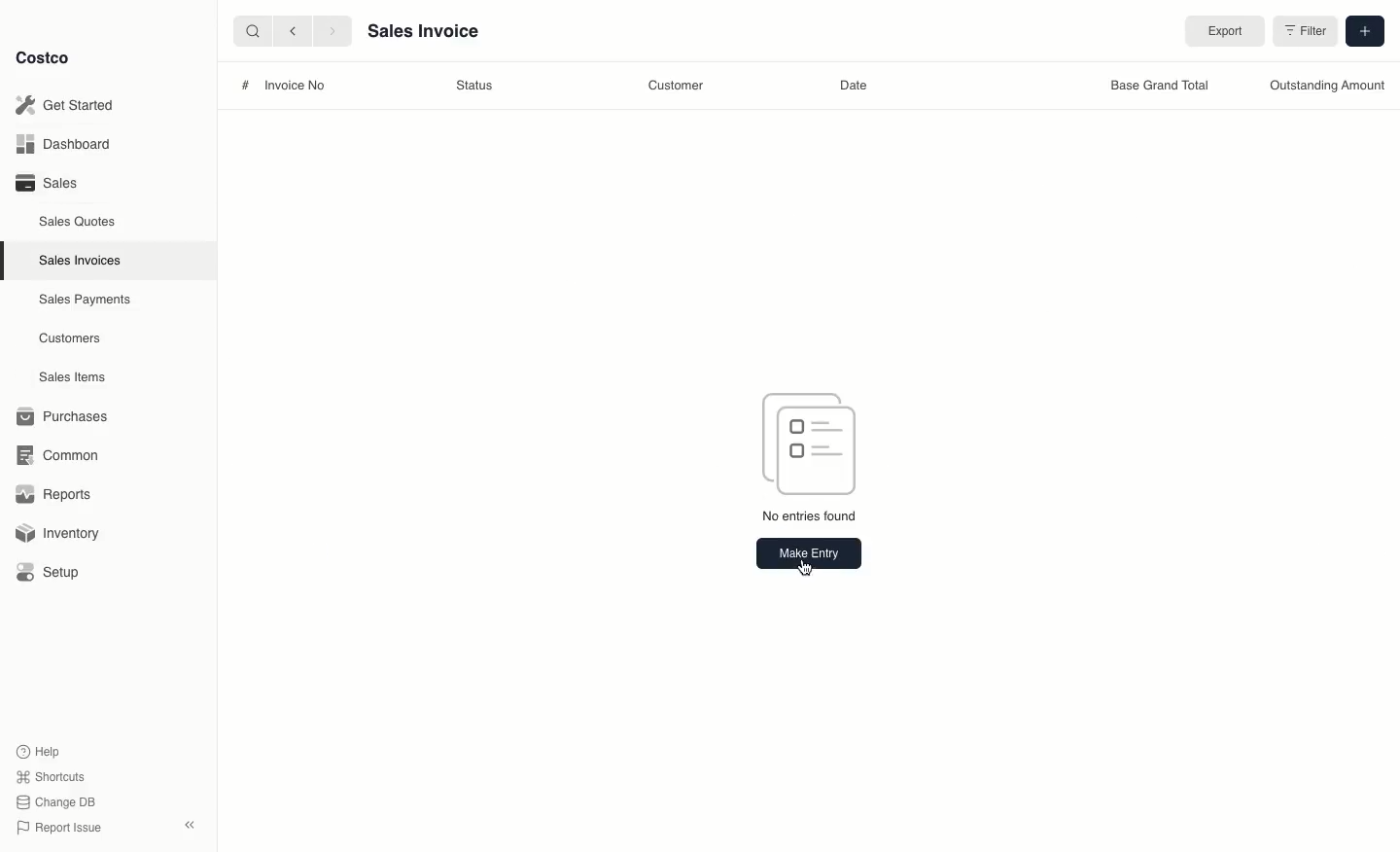 This screenshot has height=852, width=1400. Describe the element at coordinates (70, 337) in the screenshot. I see `Customers` at that location.